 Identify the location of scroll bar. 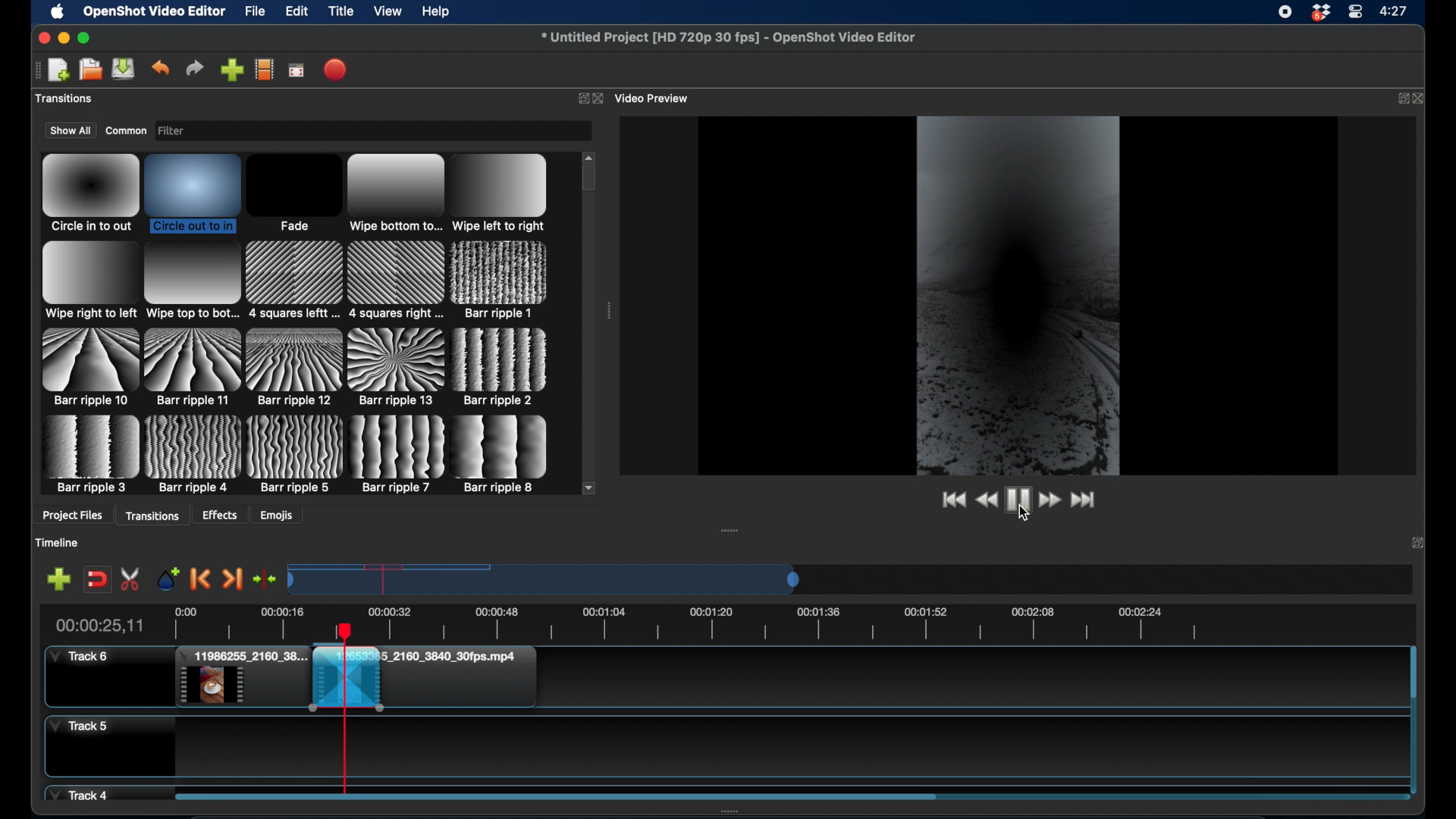
(555, 795).